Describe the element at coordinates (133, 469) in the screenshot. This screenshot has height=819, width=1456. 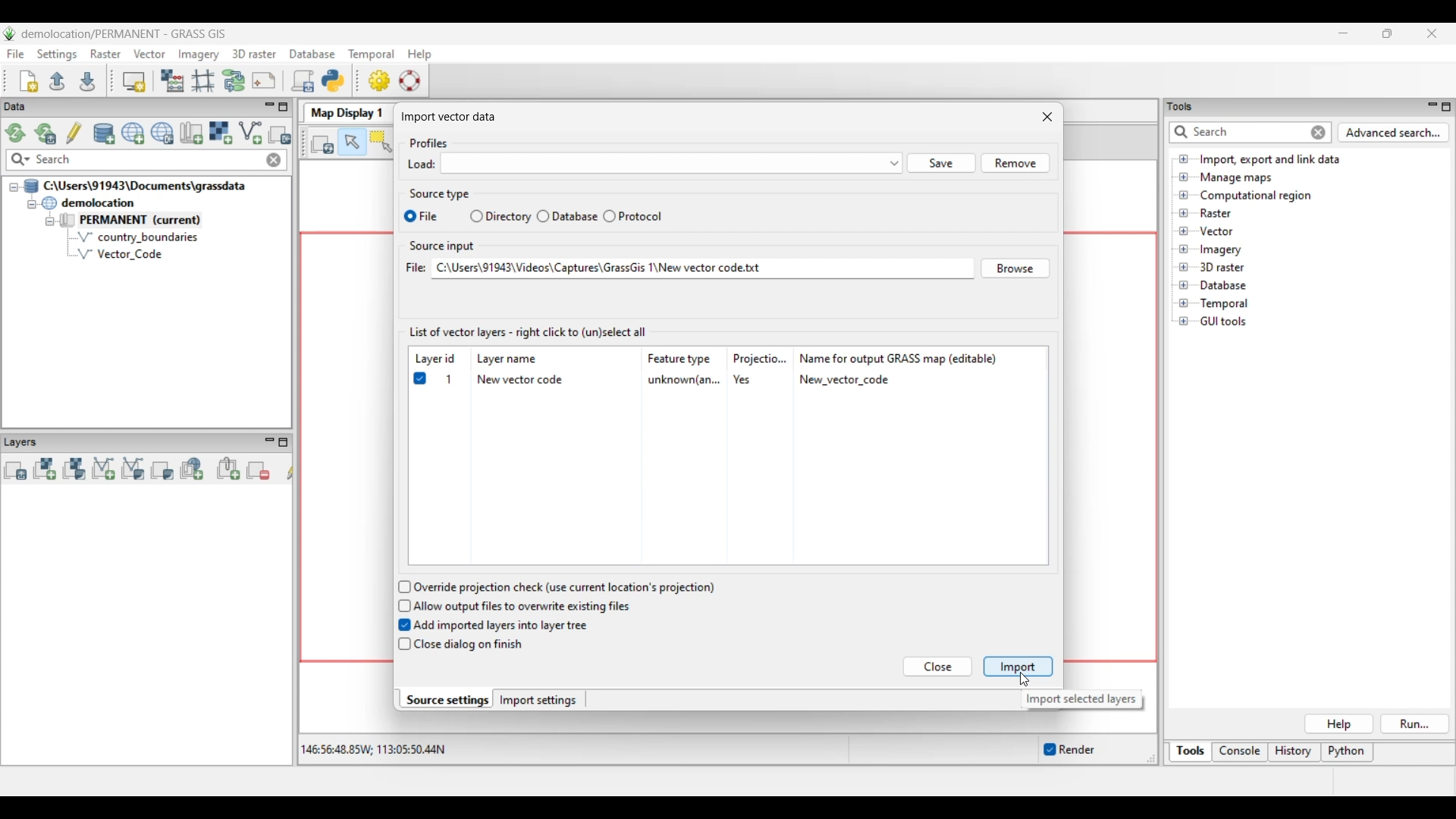
I see `Add various vector map layers` at that location.